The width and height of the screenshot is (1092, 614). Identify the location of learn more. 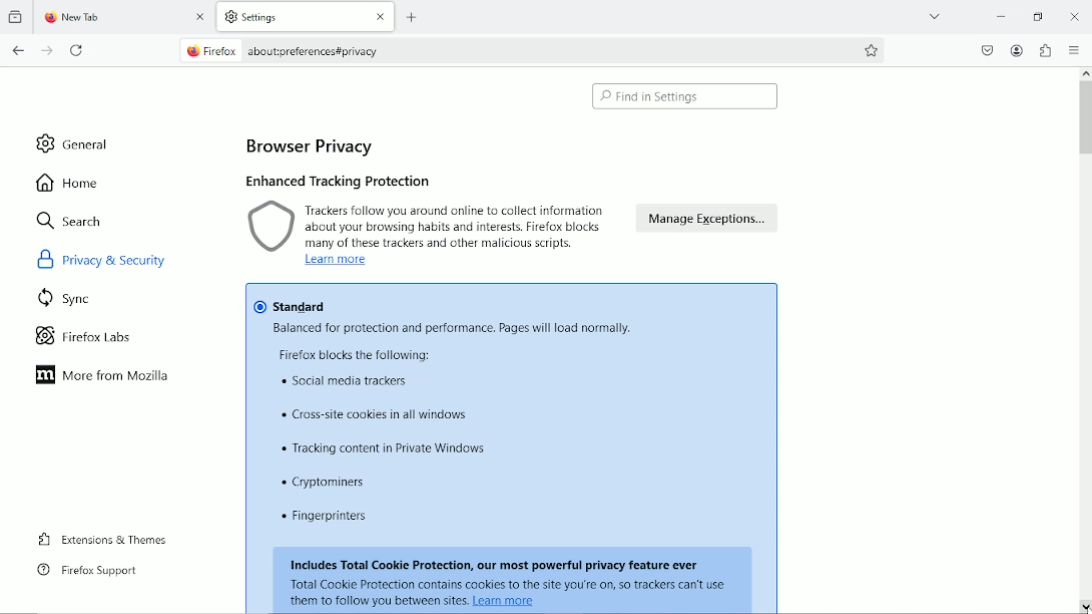
(333, 261).